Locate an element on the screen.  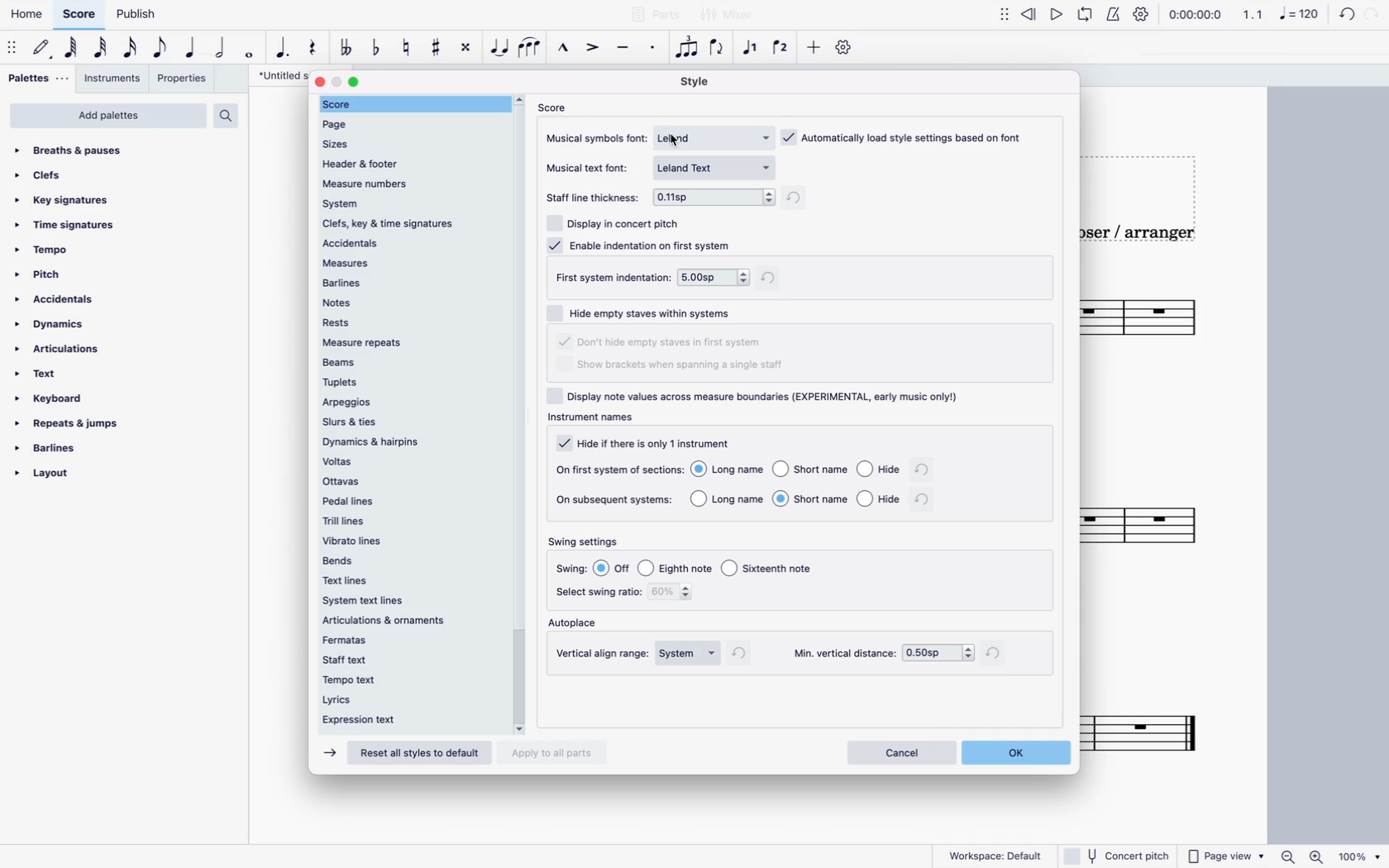
score is located at coordinates (556, 107).